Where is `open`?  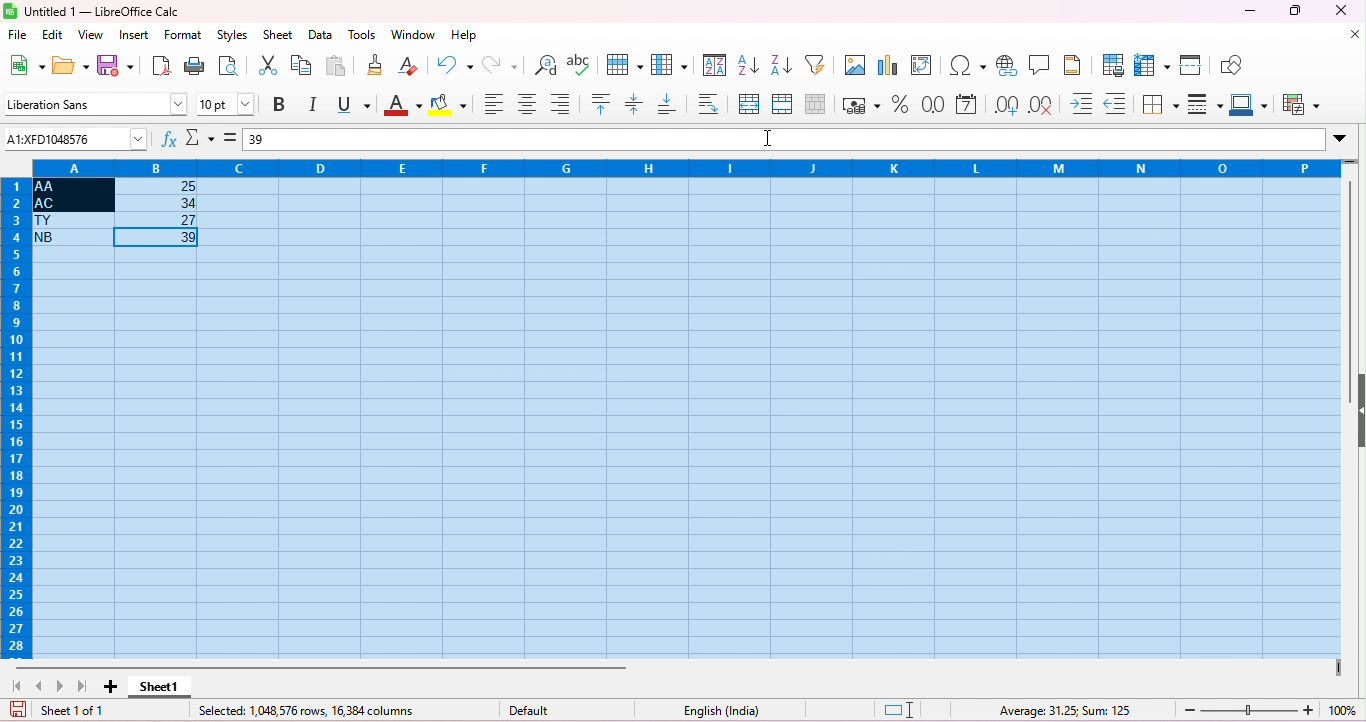 open is located at coordinates (72, 64).